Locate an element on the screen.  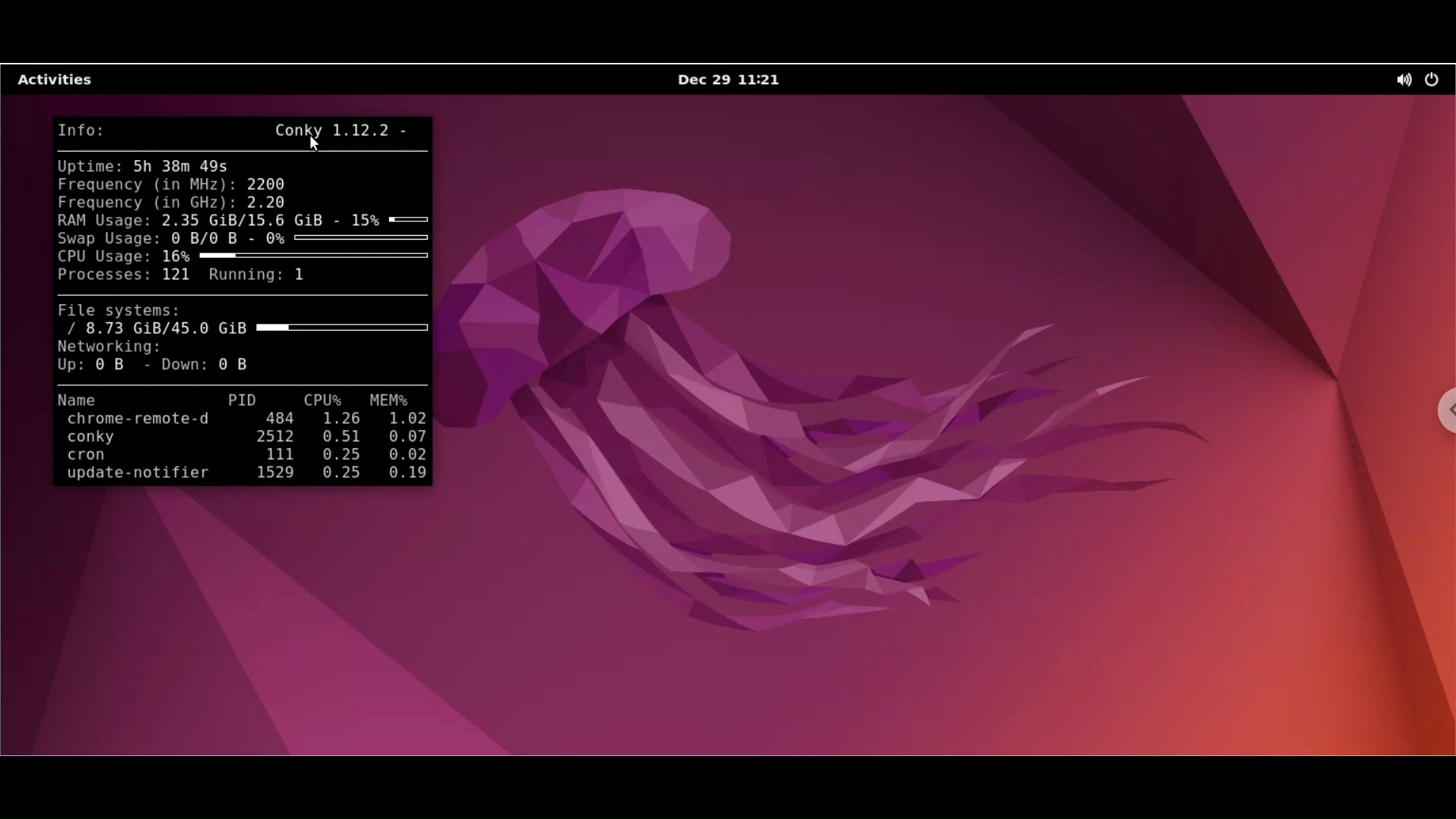
2.20 is located at coordinates (274, 202).